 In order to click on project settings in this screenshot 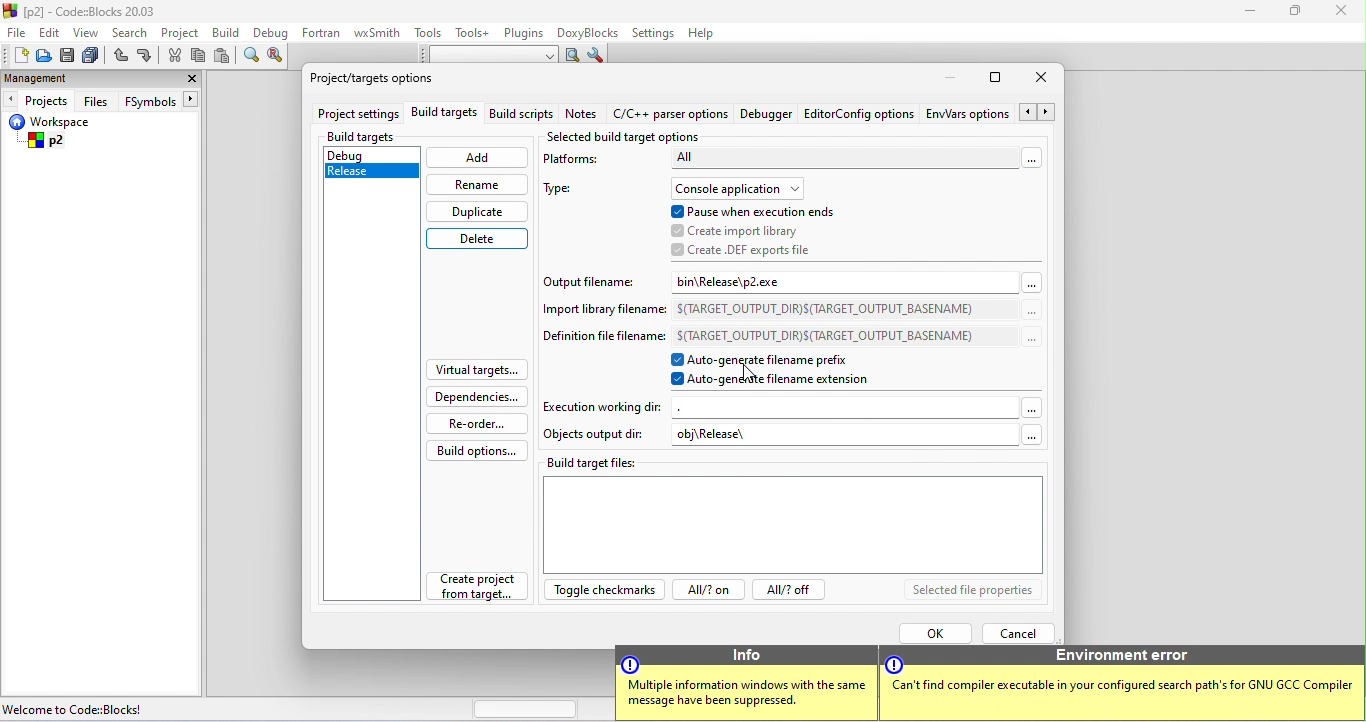, I will do `click(356, 115)`.